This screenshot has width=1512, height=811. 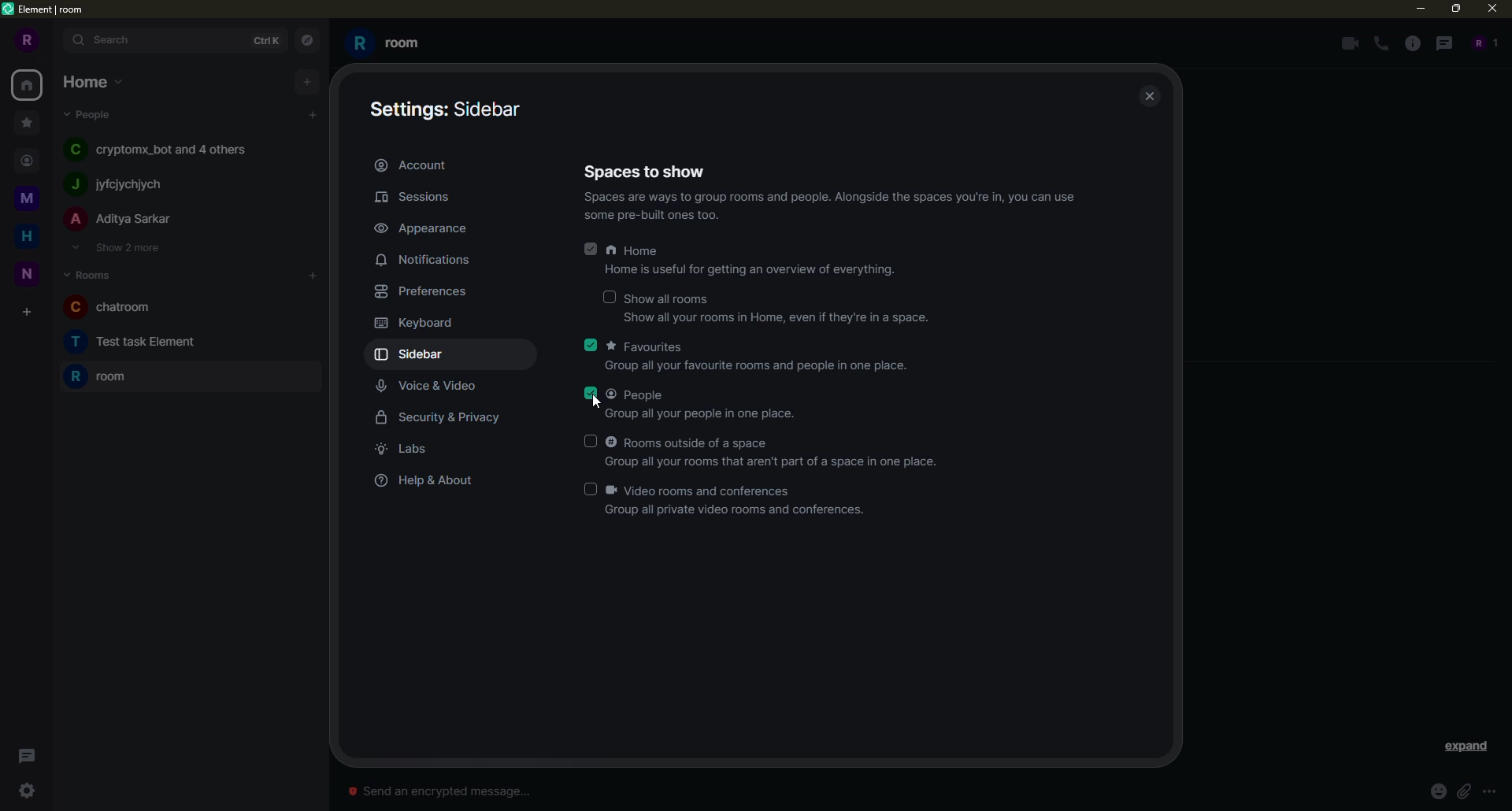 I want to click on select, so click(x=607, y=298).